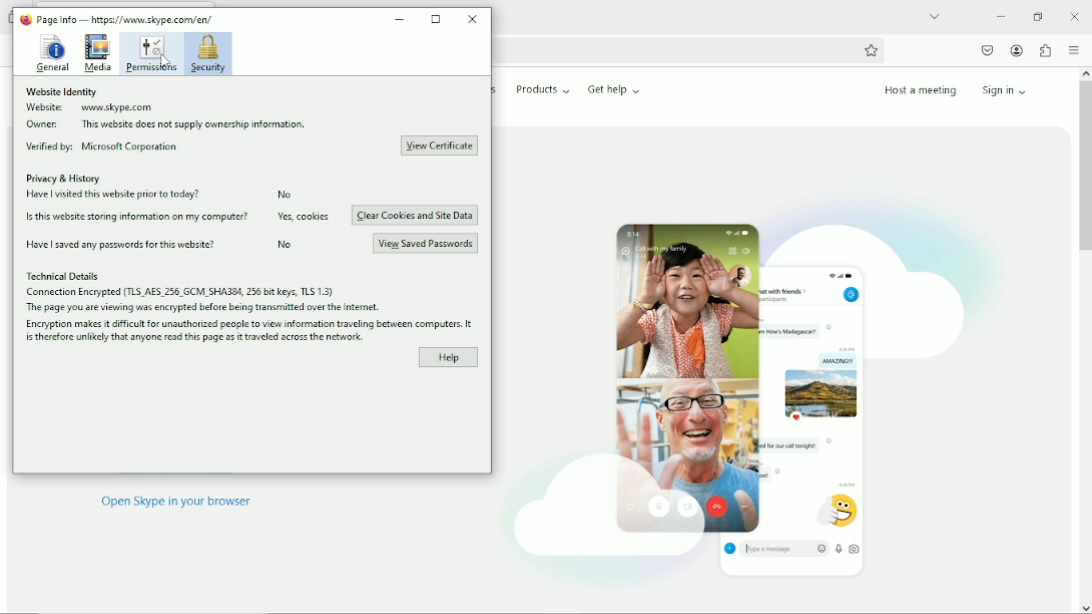 This screenshot has height=614, width=1092. I want to click on Sign in, so click(1008, 89).